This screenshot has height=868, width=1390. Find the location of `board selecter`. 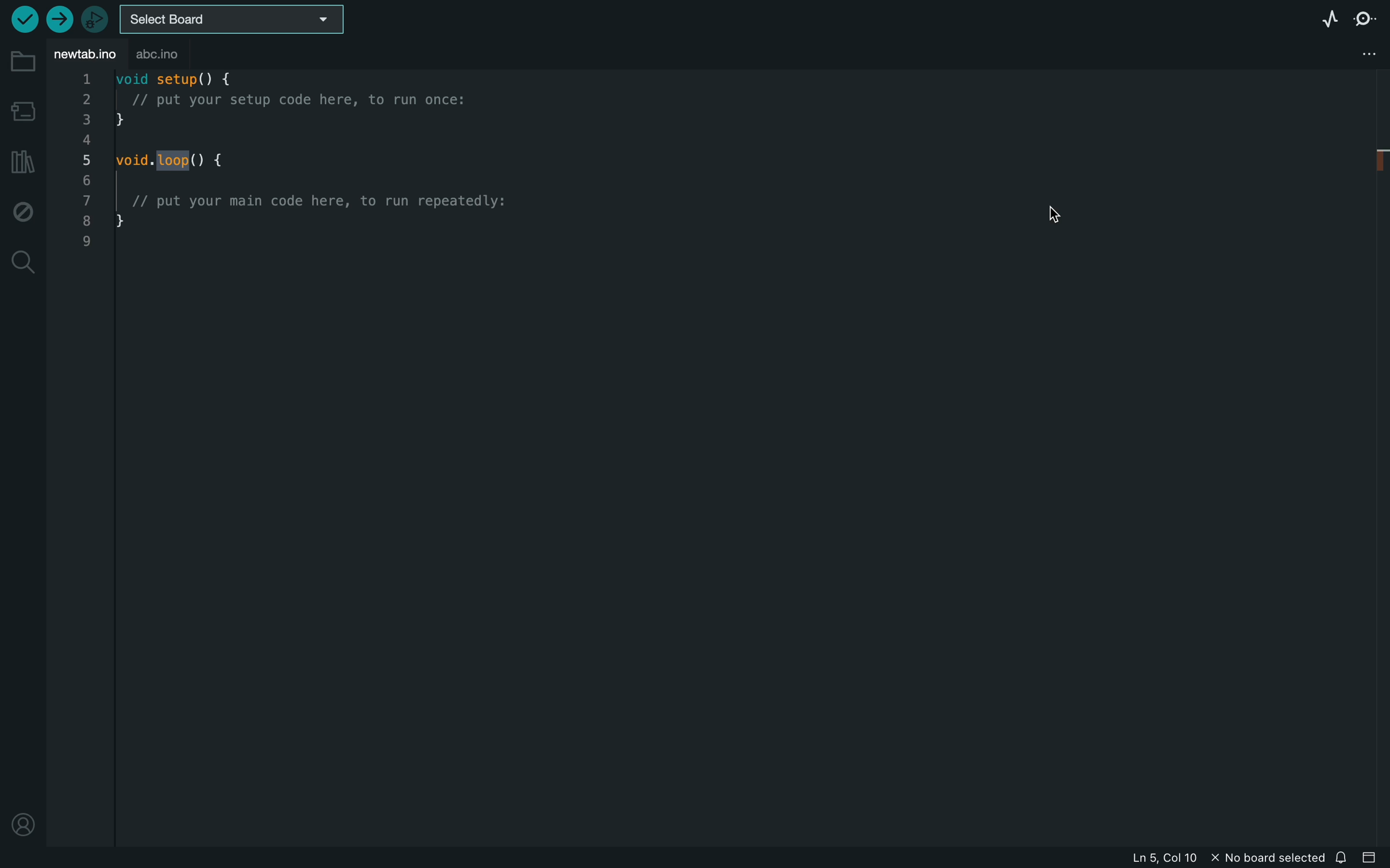

board selecter is located at coordinates (239, 21).